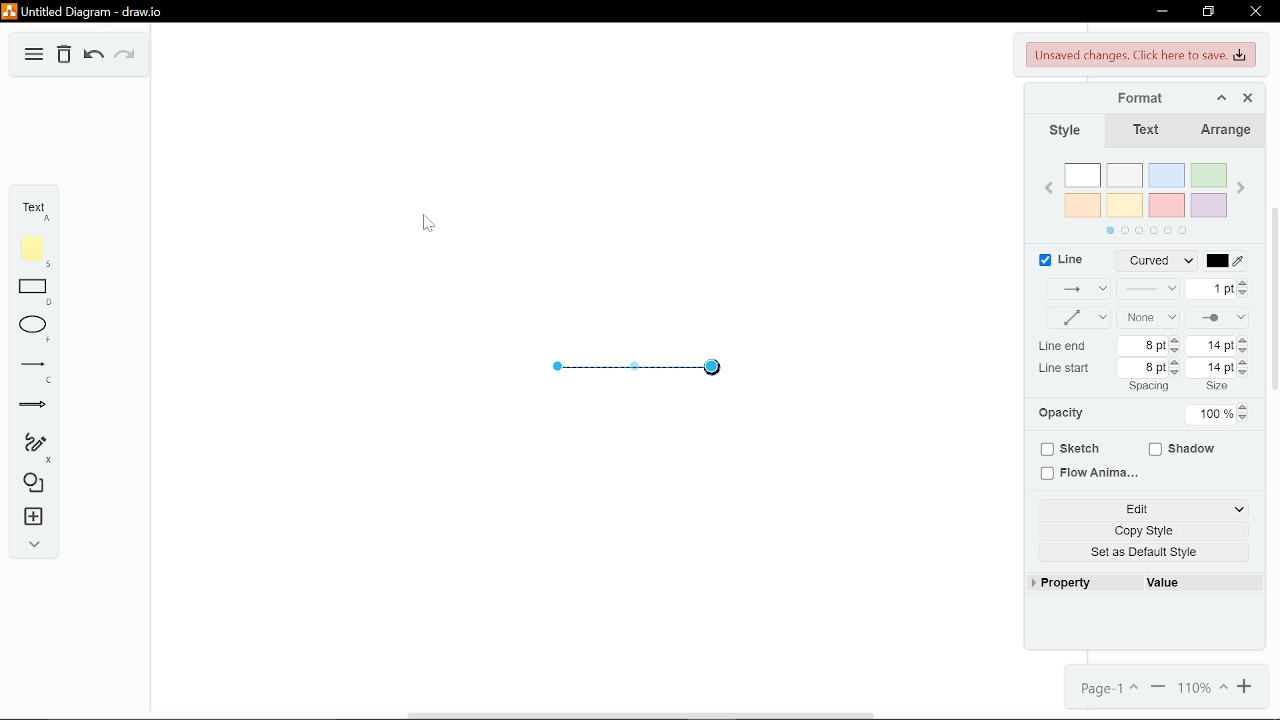  I want to click on scroll bar, so click(1275, 300).